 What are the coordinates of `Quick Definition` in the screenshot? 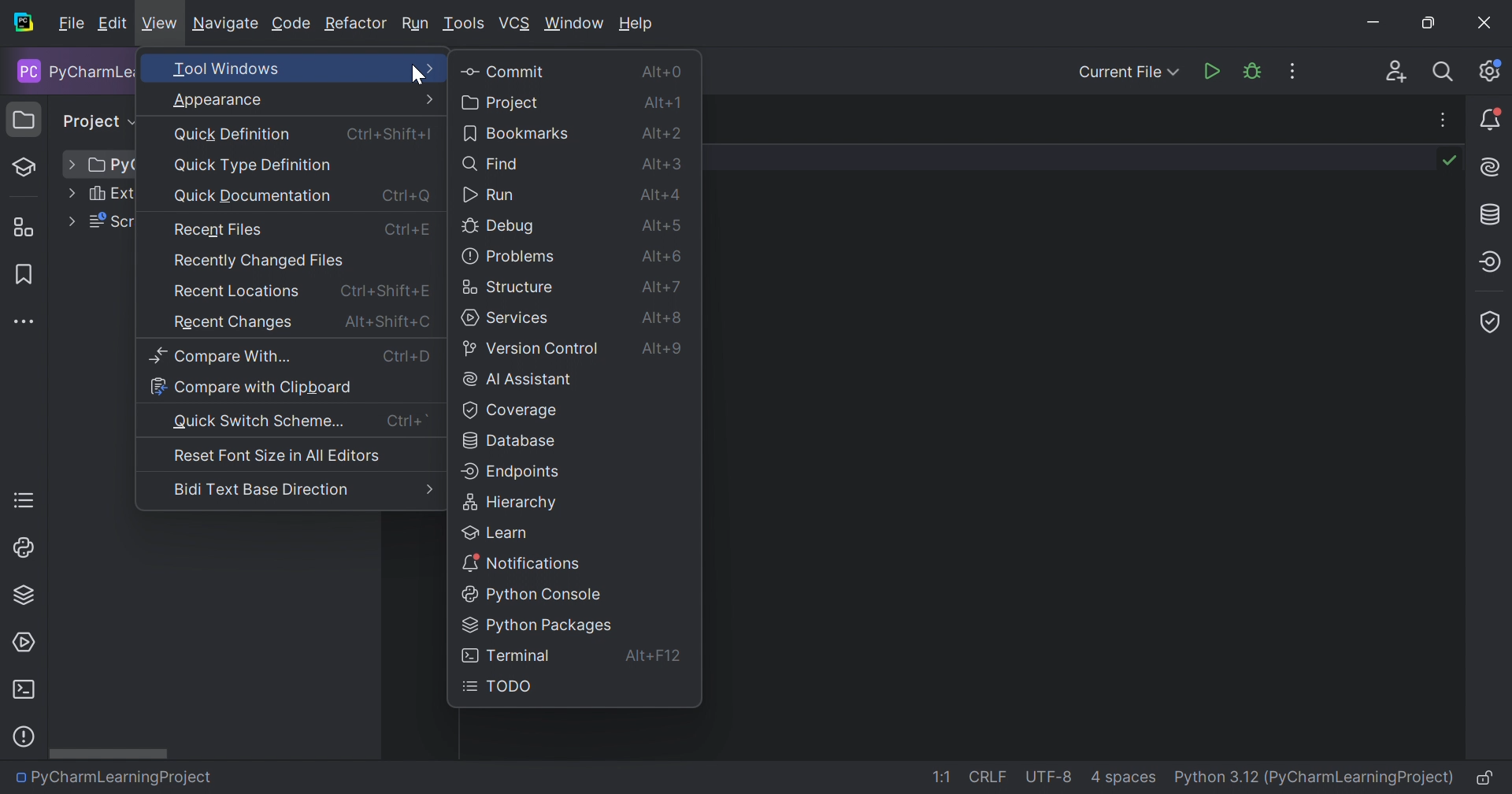 It's located at (235, 135).